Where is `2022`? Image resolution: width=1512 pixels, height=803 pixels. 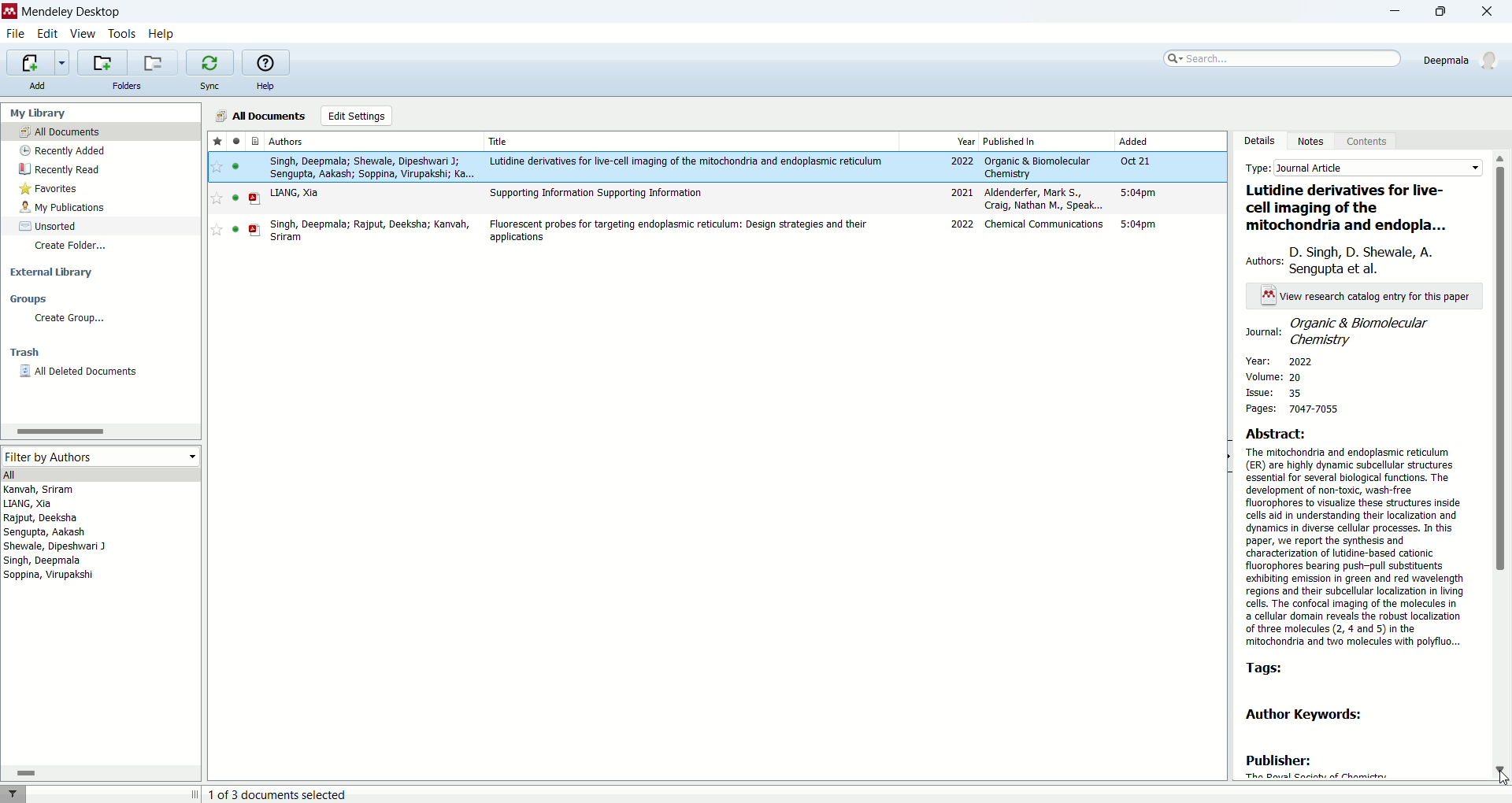 2022 is located at coordinates (962, 161).